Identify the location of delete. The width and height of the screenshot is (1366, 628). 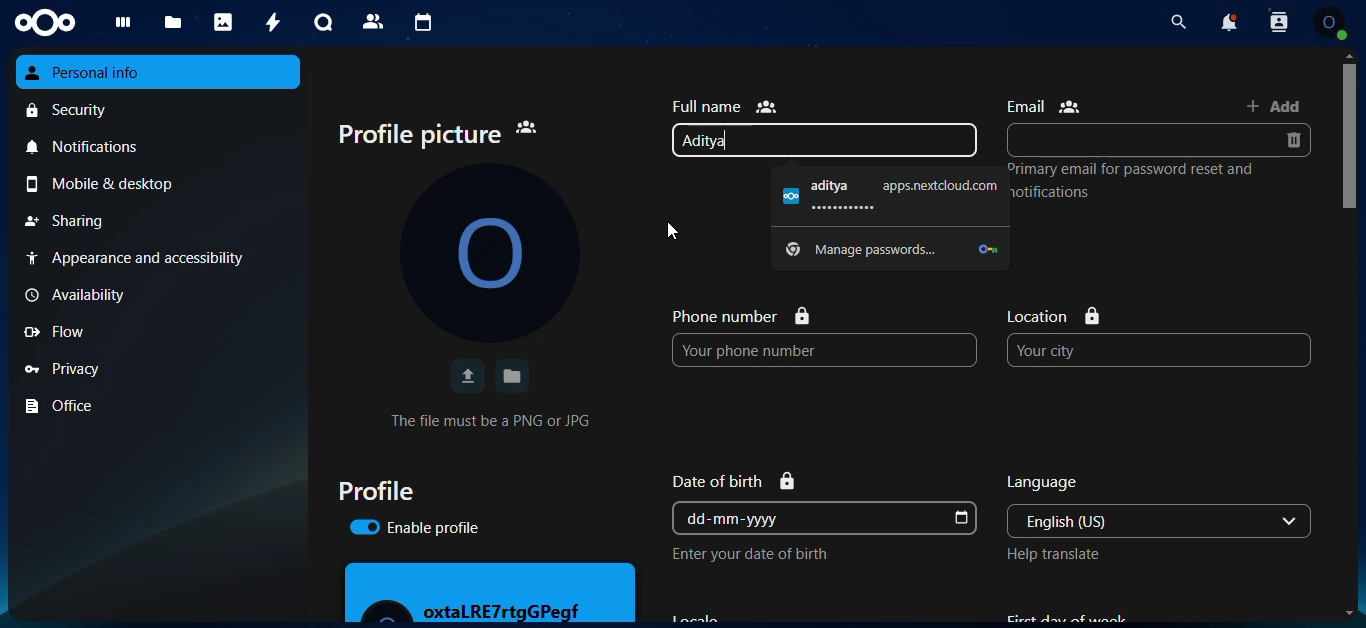
(1292, 140).